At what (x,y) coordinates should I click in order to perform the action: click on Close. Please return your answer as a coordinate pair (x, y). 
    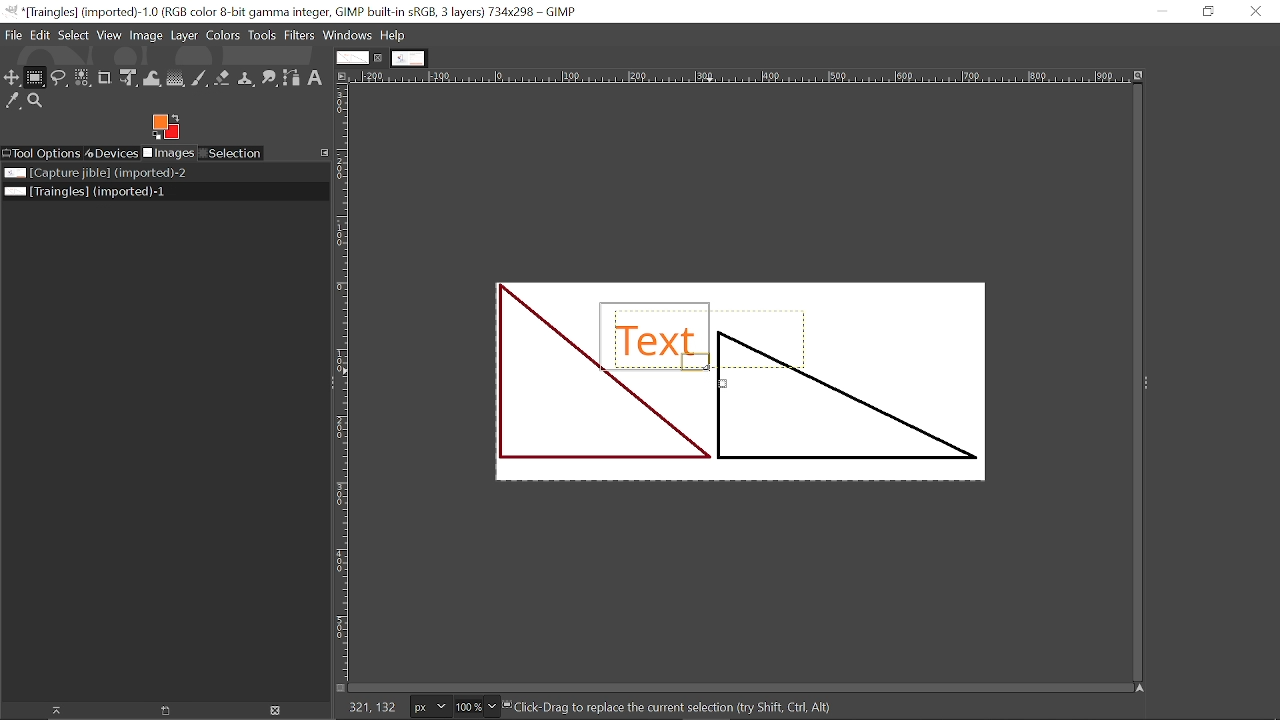
    Looking at the image, I should click on (1254, 14).